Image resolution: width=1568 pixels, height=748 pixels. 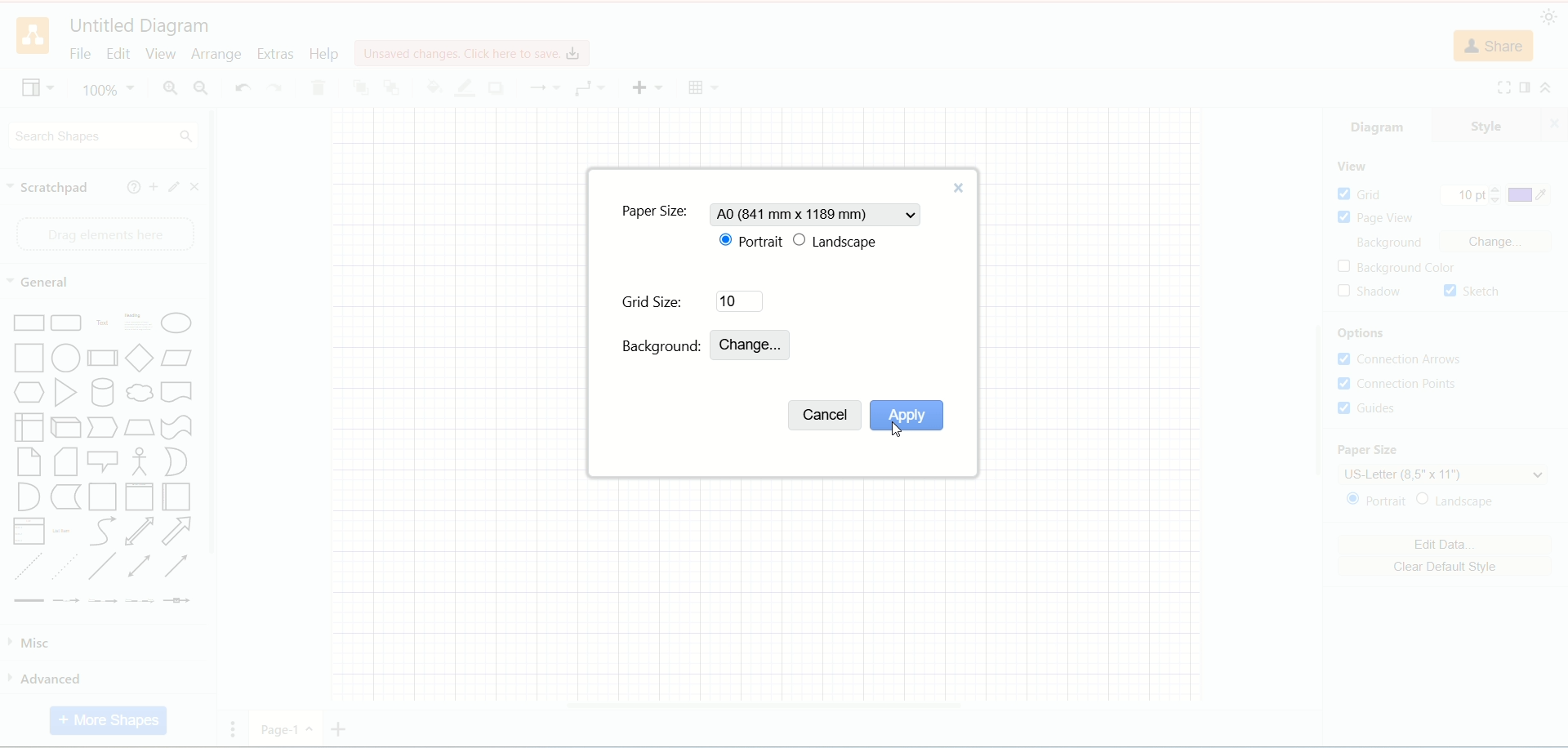 I want to click on Curves, so click(x=102, y=533).